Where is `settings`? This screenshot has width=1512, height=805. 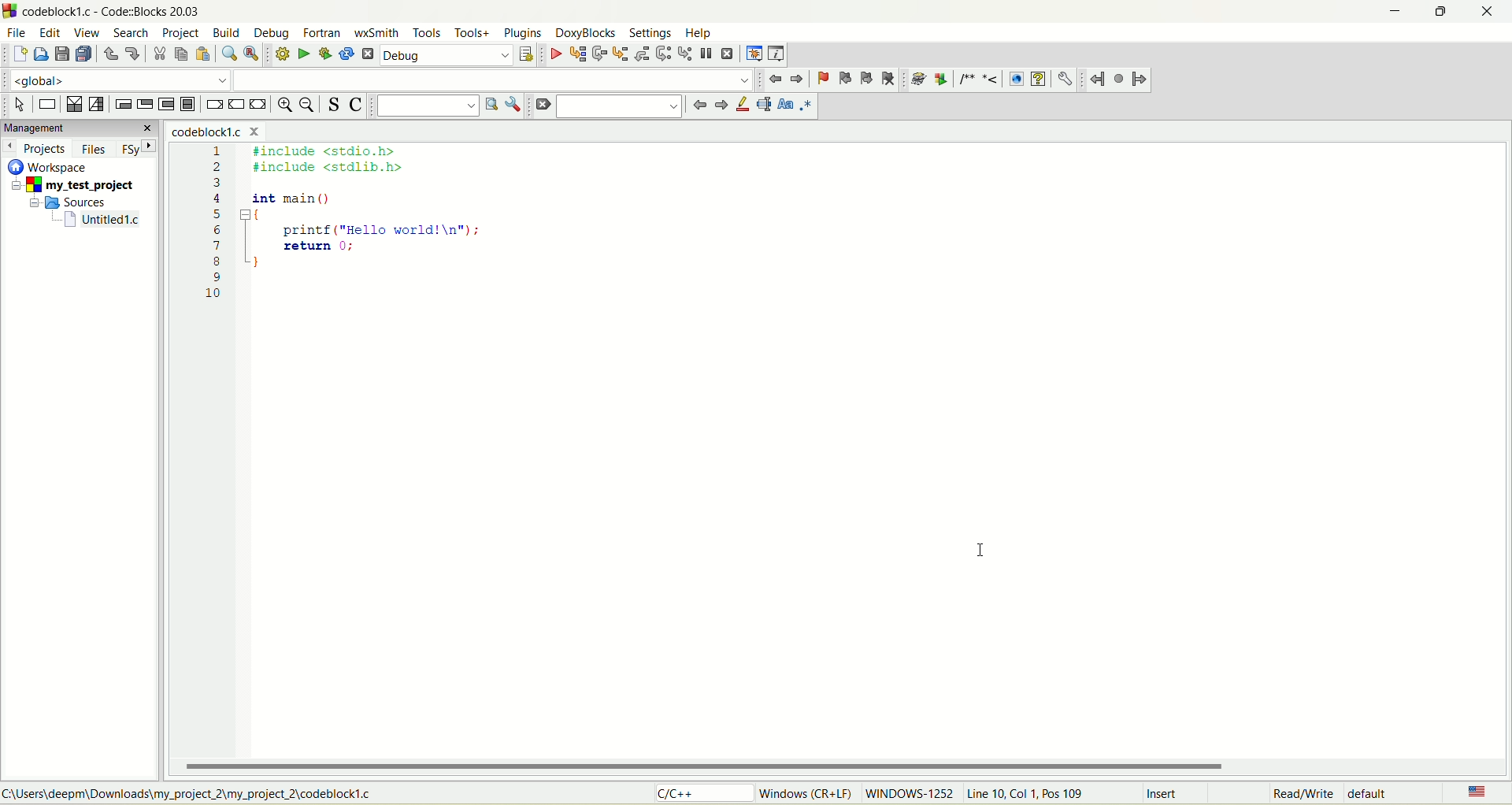 settings is located at coordinates (650, 32).